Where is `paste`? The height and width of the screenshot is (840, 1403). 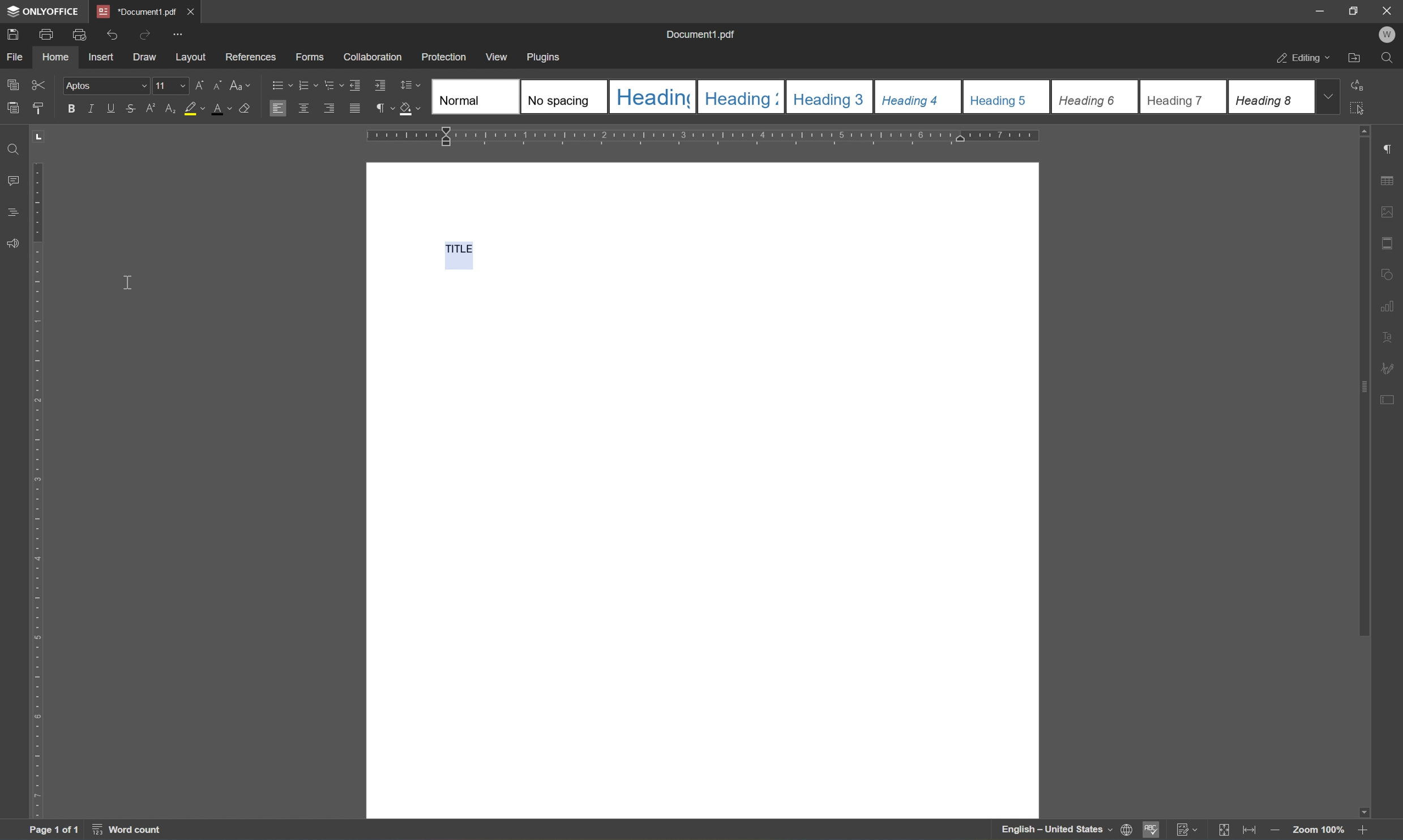
paste is located at coordinates (12, 108).